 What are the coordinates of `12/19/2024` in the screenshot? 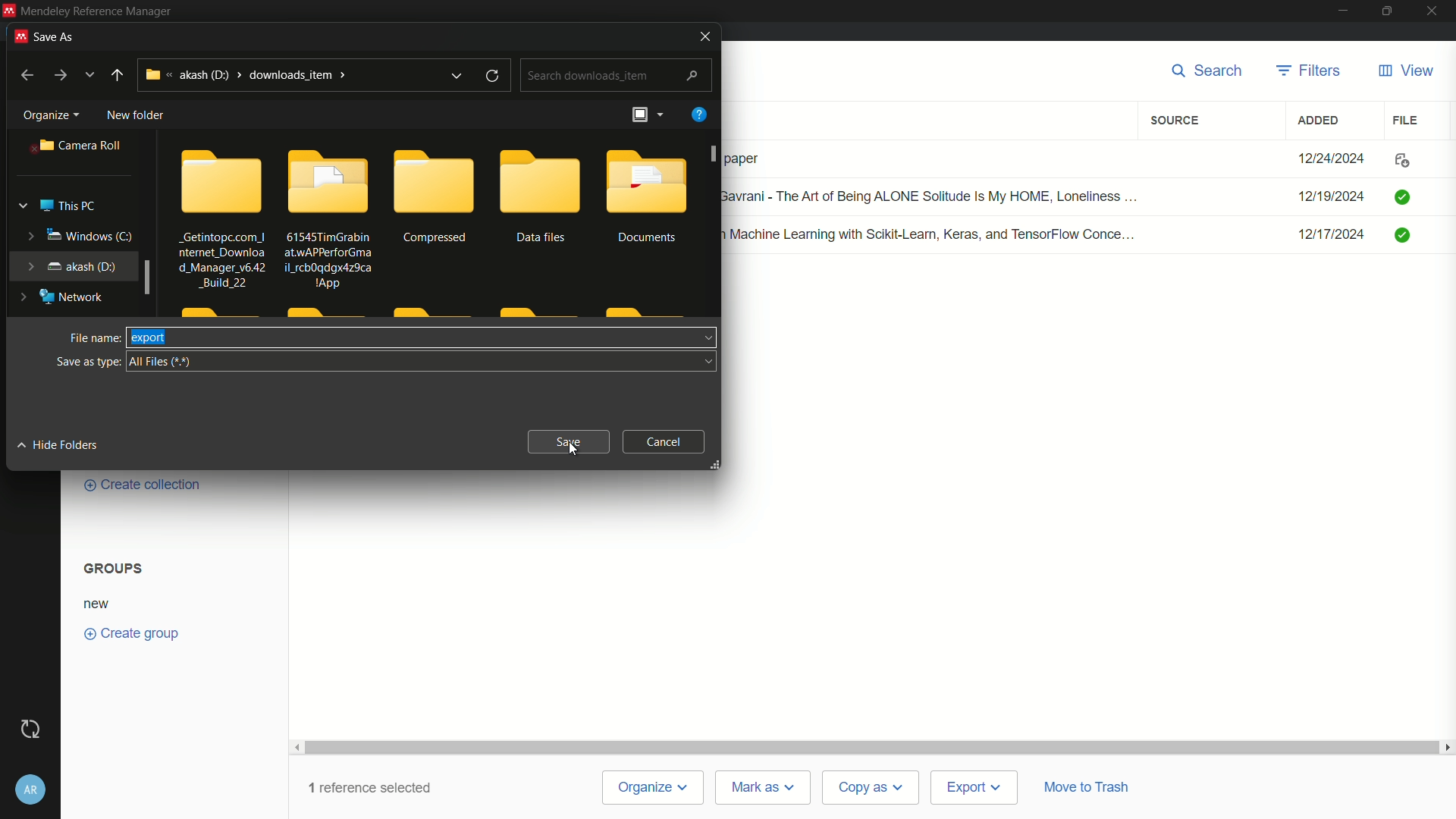 It's located at (1330, 198).